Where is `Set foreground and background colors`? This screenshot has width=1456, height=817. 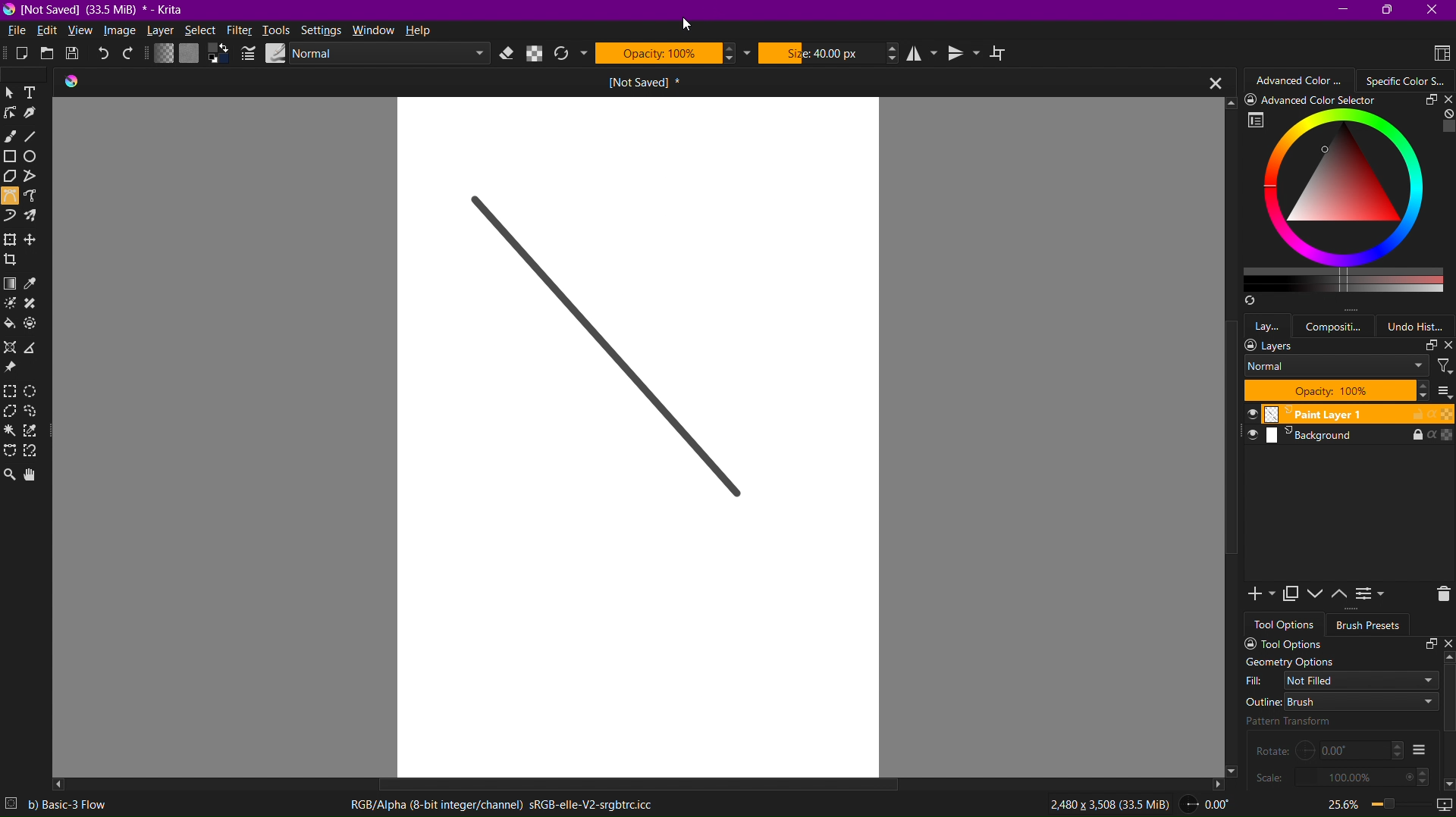 Set foreground and background colors is located at coordinates (218, 55).